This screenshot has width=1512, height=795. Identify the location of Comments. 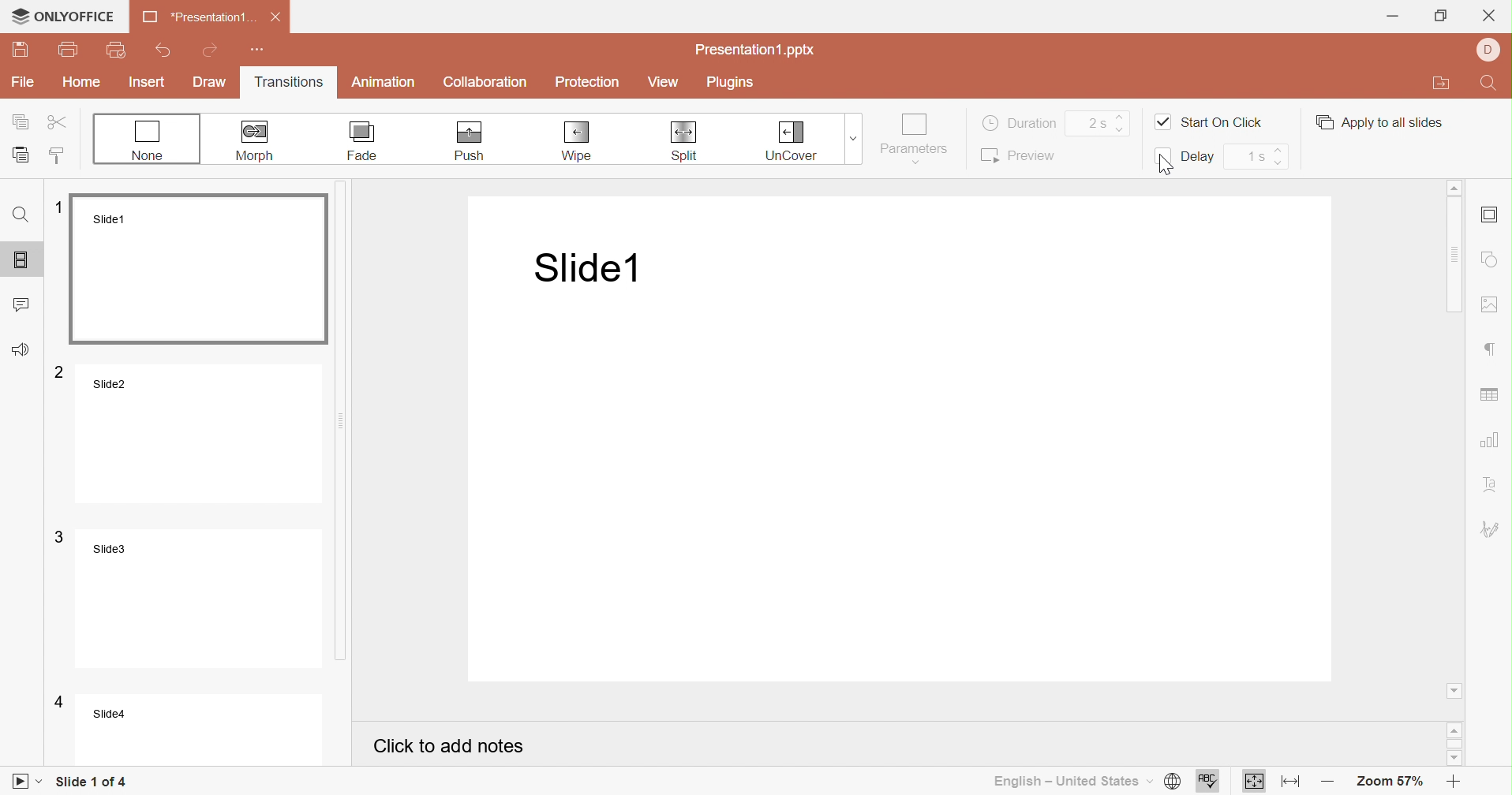
(21, 304).